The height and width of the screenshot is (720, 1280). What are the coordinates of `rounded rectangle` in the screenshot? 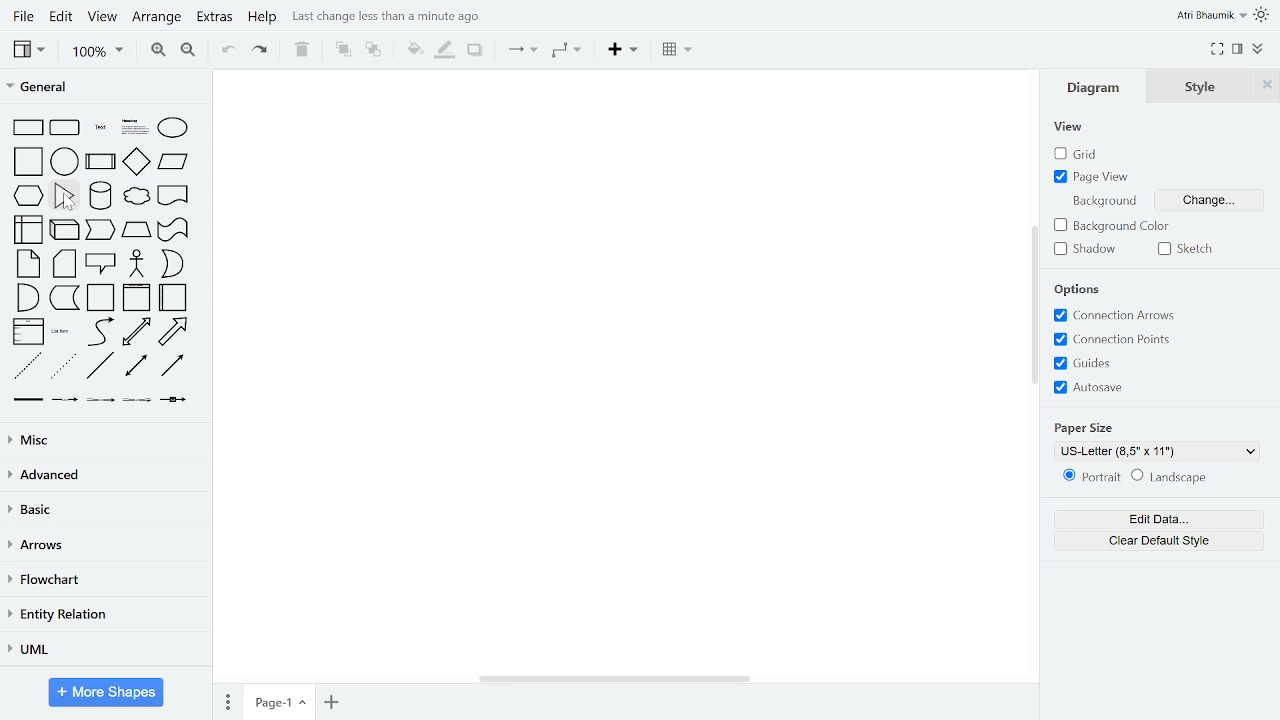 It's located at (66, 128).